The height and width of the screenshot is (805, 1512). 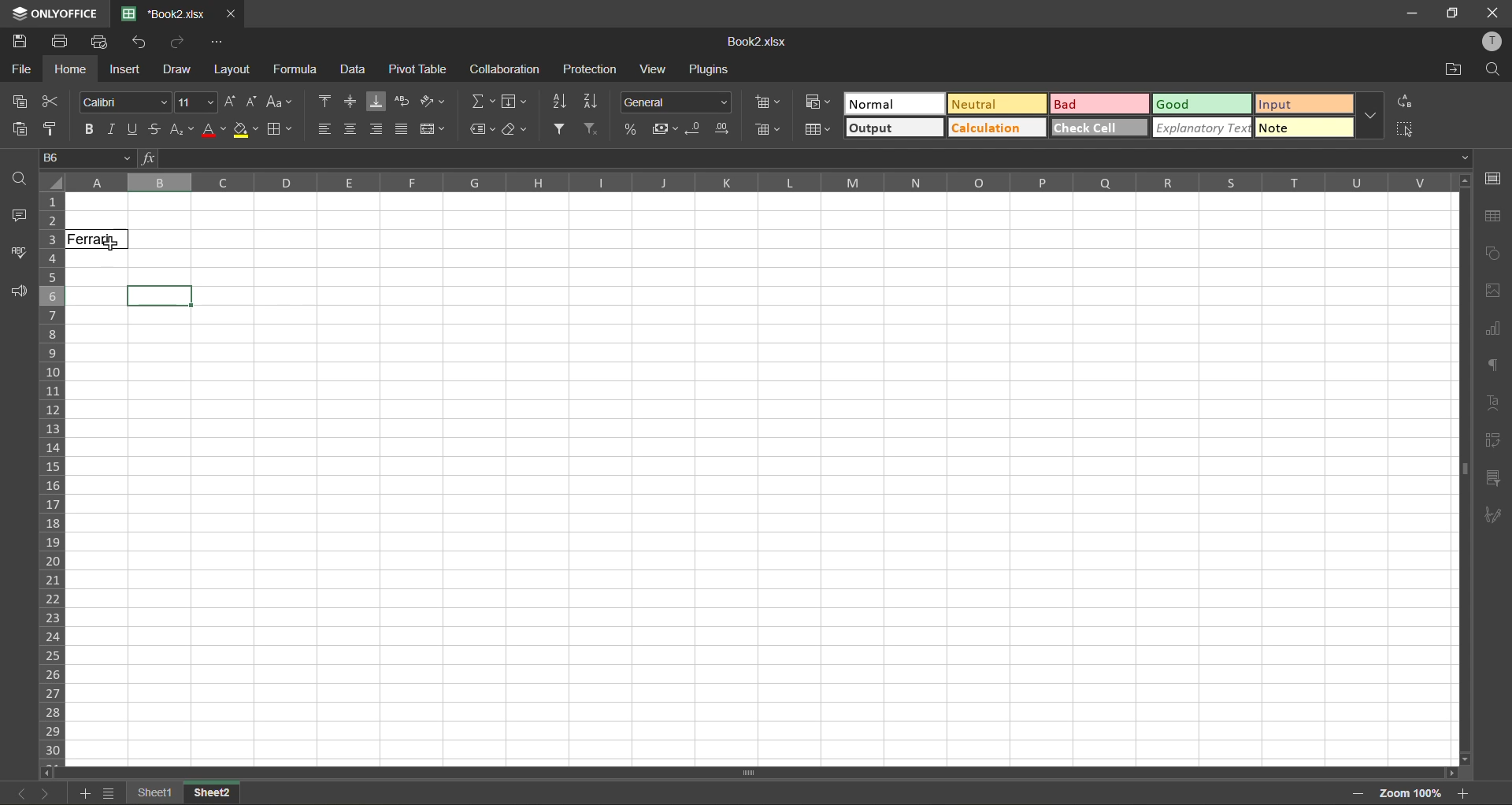 What do you see at coordinates (747, 773) in the screenshot?
I see `horizontal scrollbar` at bounding box center [747, 773].